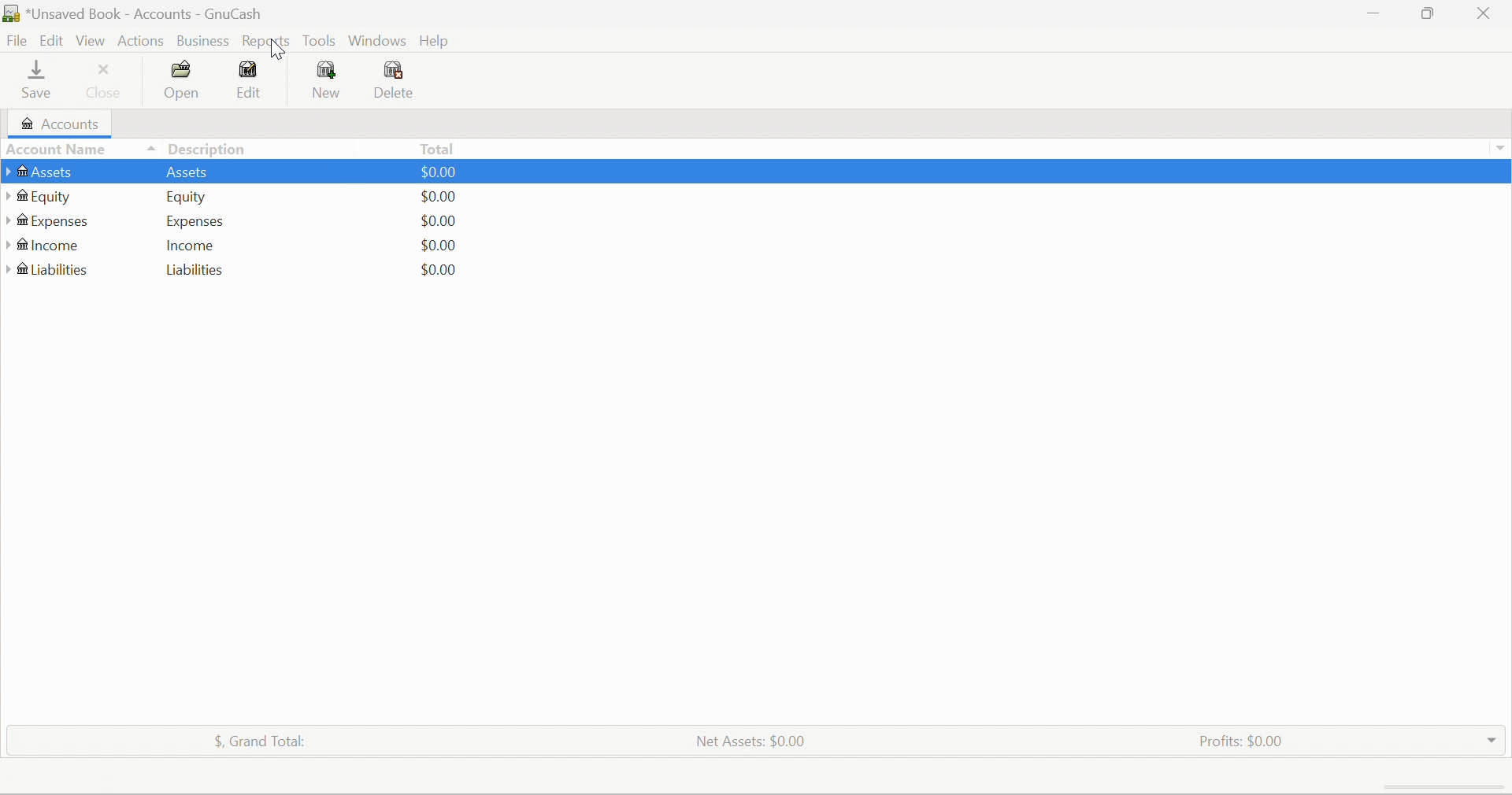 This screenshot has height=795, width=1512. What do you see at coordinates (437, 171) in the screenshot?
I see `$0.00` at bounding box center [437, 171].